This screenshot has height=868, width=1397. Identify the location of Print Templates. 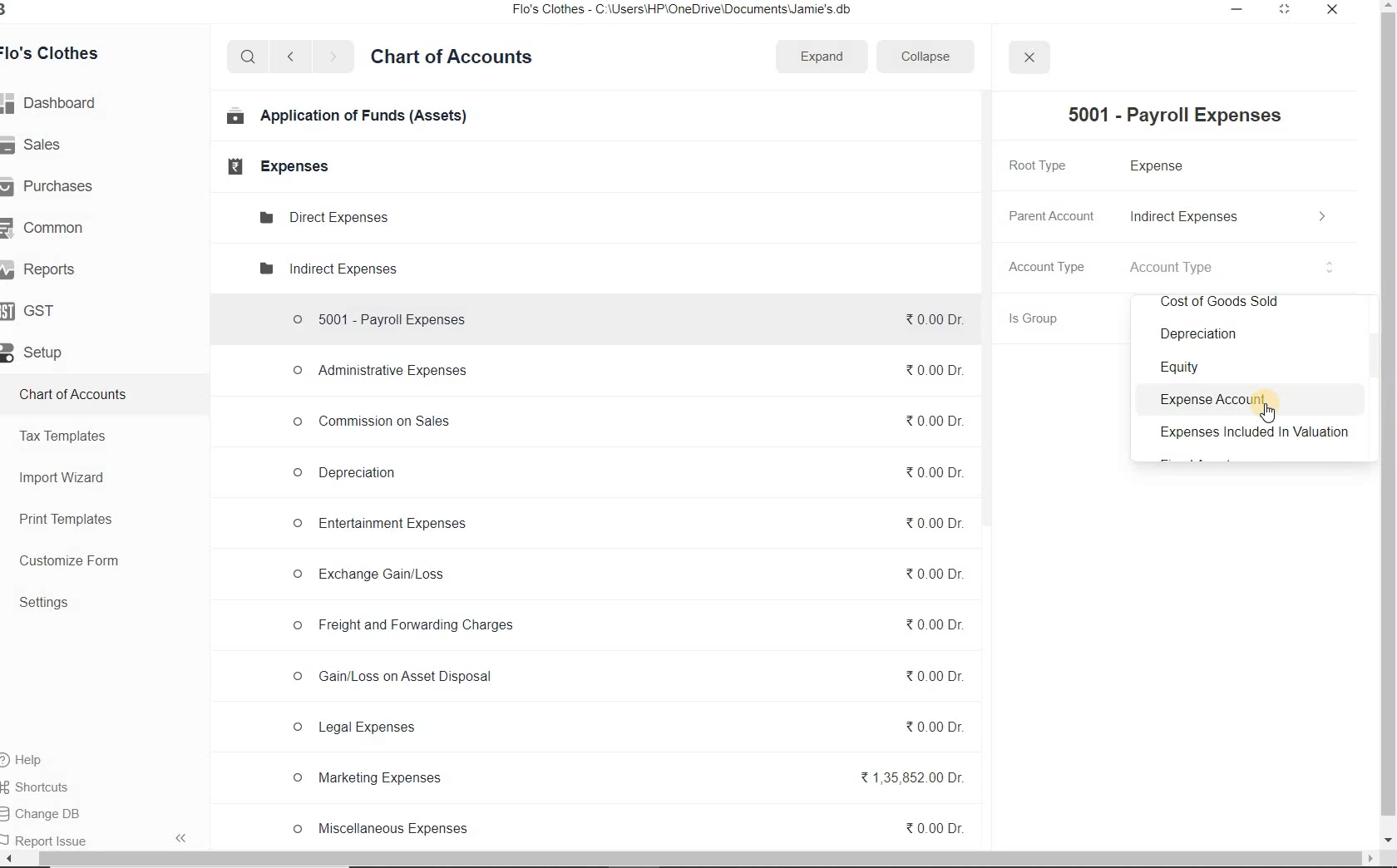
(69, 520).